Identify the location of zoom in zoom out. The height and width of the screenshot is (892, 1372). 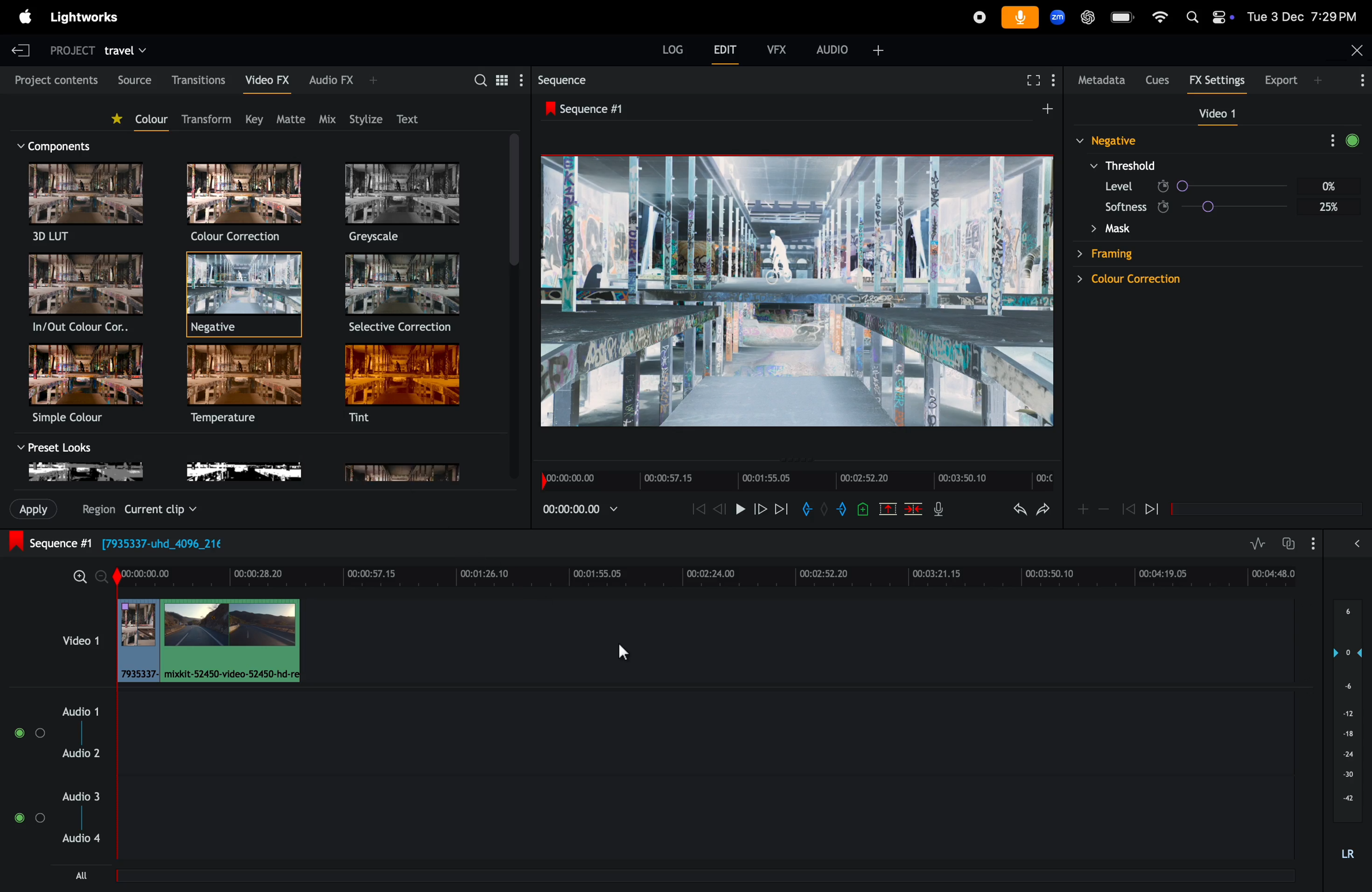
(1091, 510).